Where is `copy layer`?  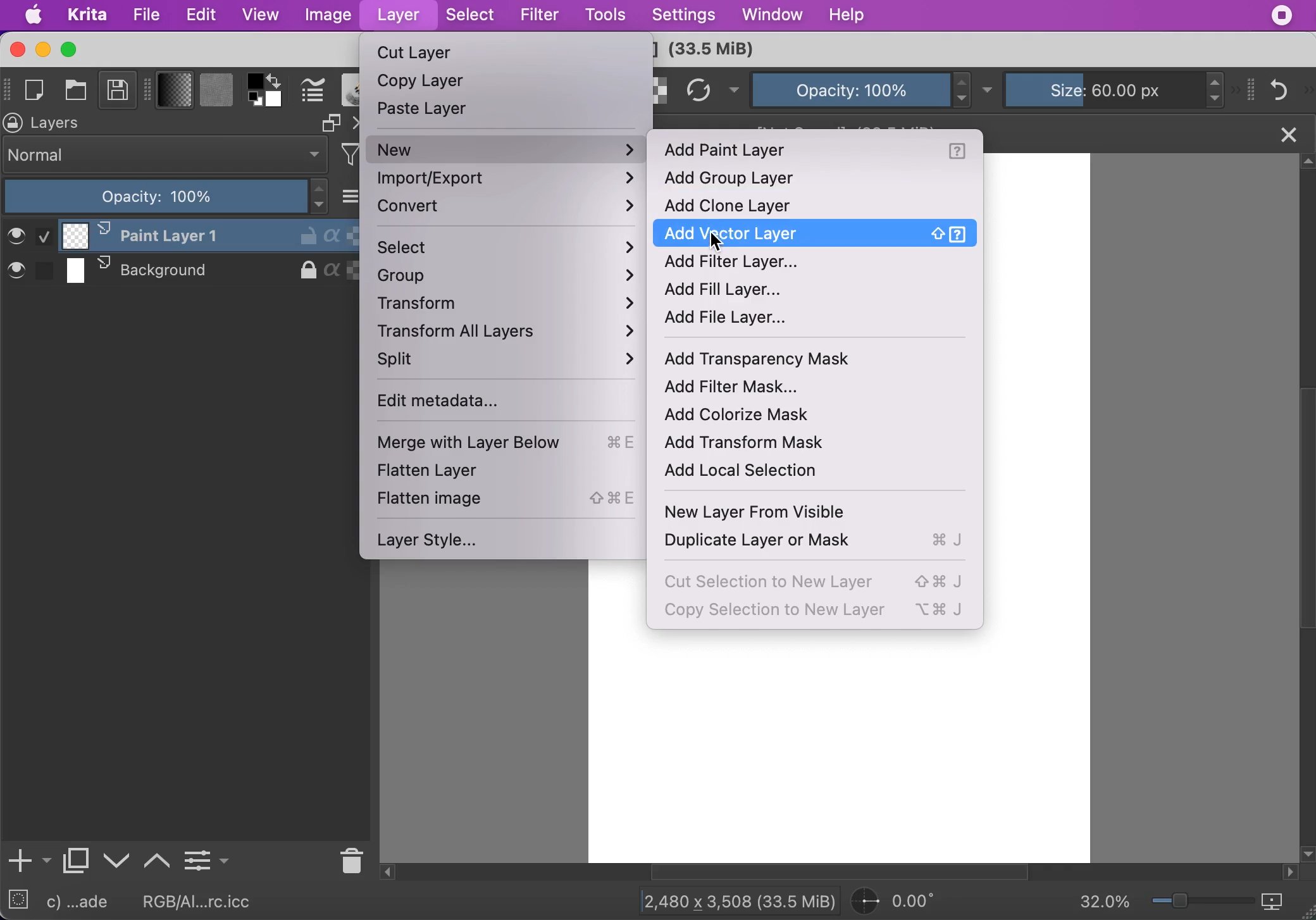
copy layer is located at coordinates (427, 84).